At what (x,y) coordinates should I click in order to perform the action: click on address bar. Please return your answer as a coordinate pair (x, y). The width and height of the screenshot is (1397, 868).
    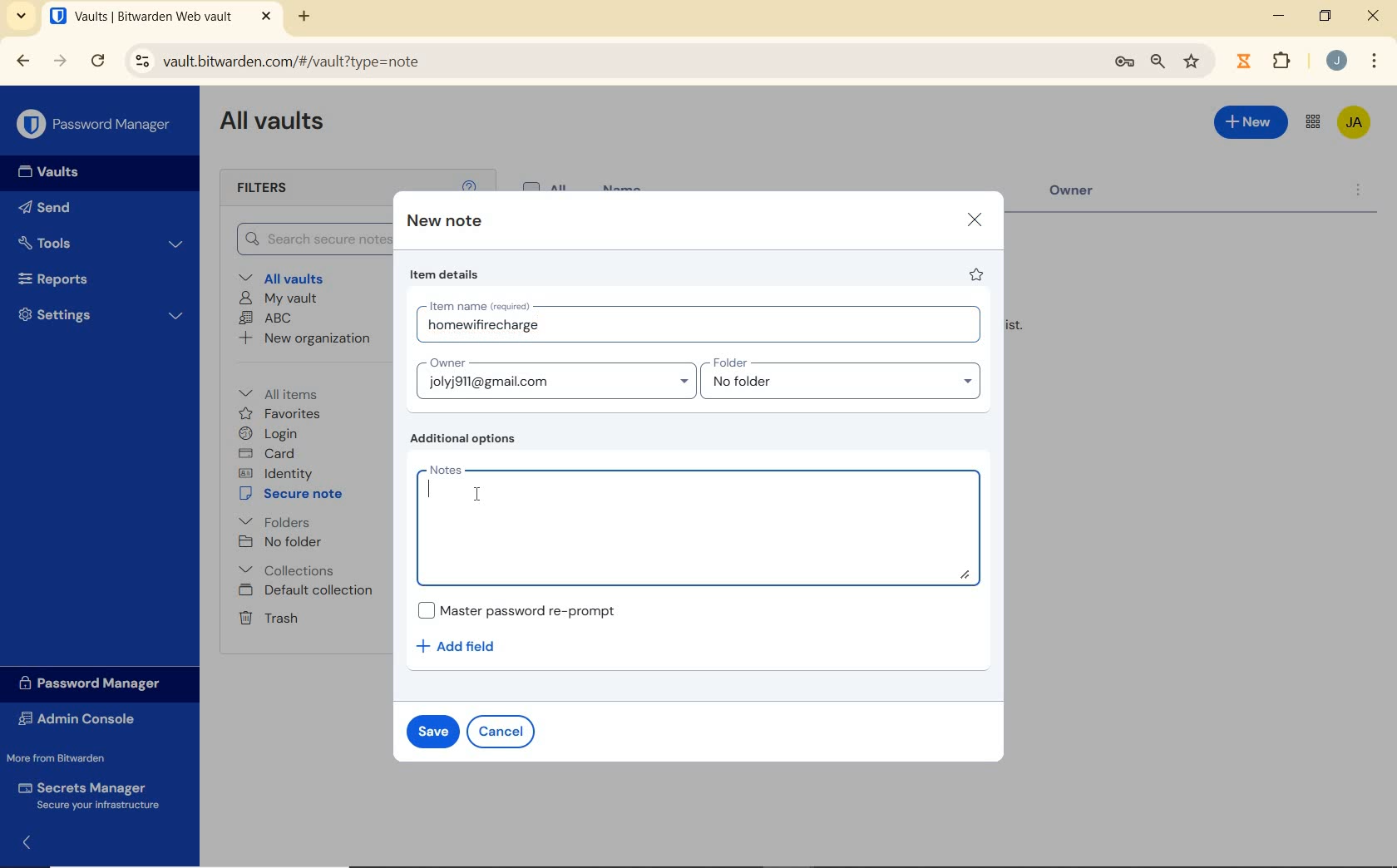
    Looking at the image, I should click on (607, 62).